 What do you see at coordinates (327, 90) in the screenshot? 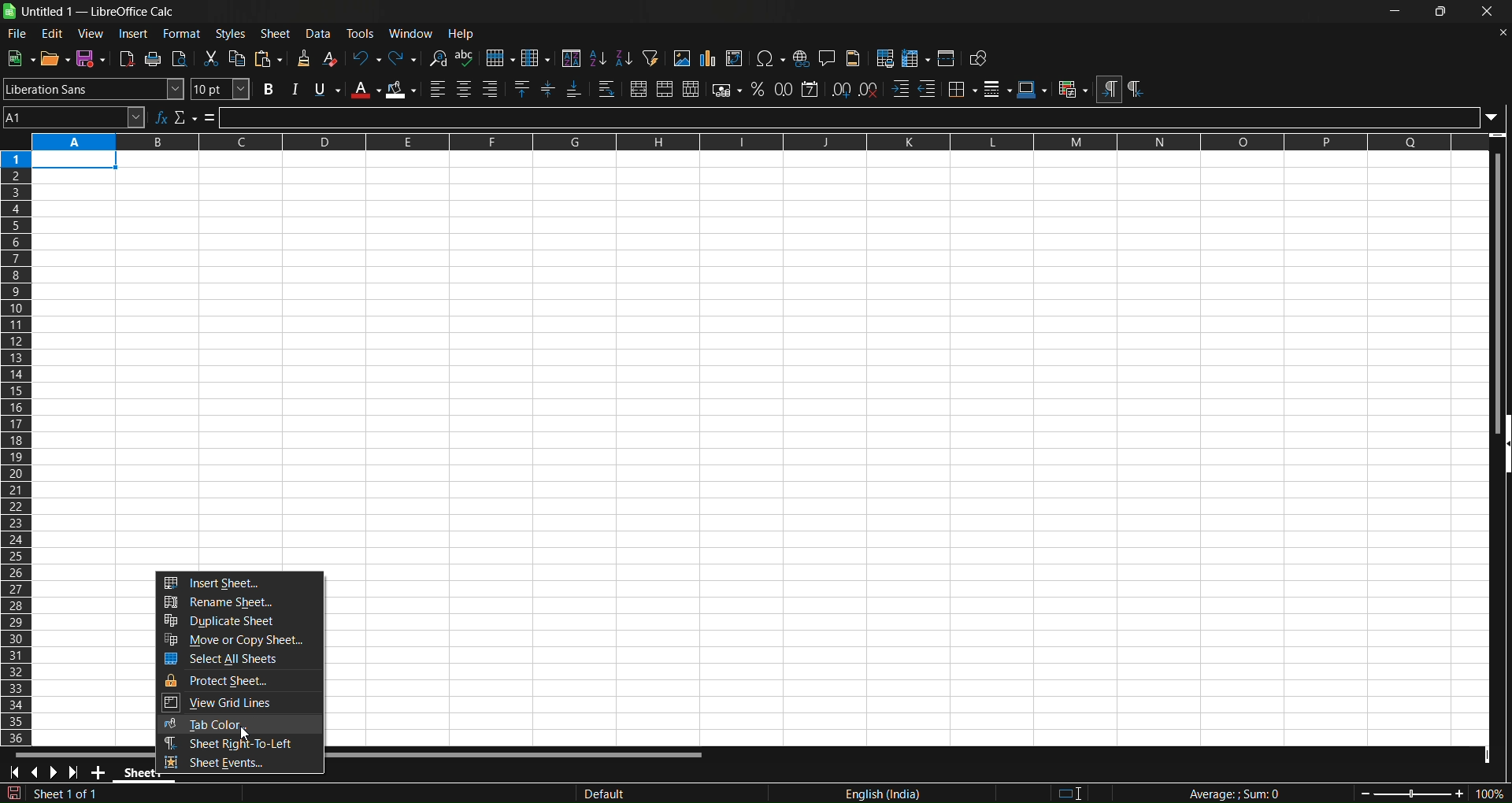
I see `underline` at bounding box center [327, 90].